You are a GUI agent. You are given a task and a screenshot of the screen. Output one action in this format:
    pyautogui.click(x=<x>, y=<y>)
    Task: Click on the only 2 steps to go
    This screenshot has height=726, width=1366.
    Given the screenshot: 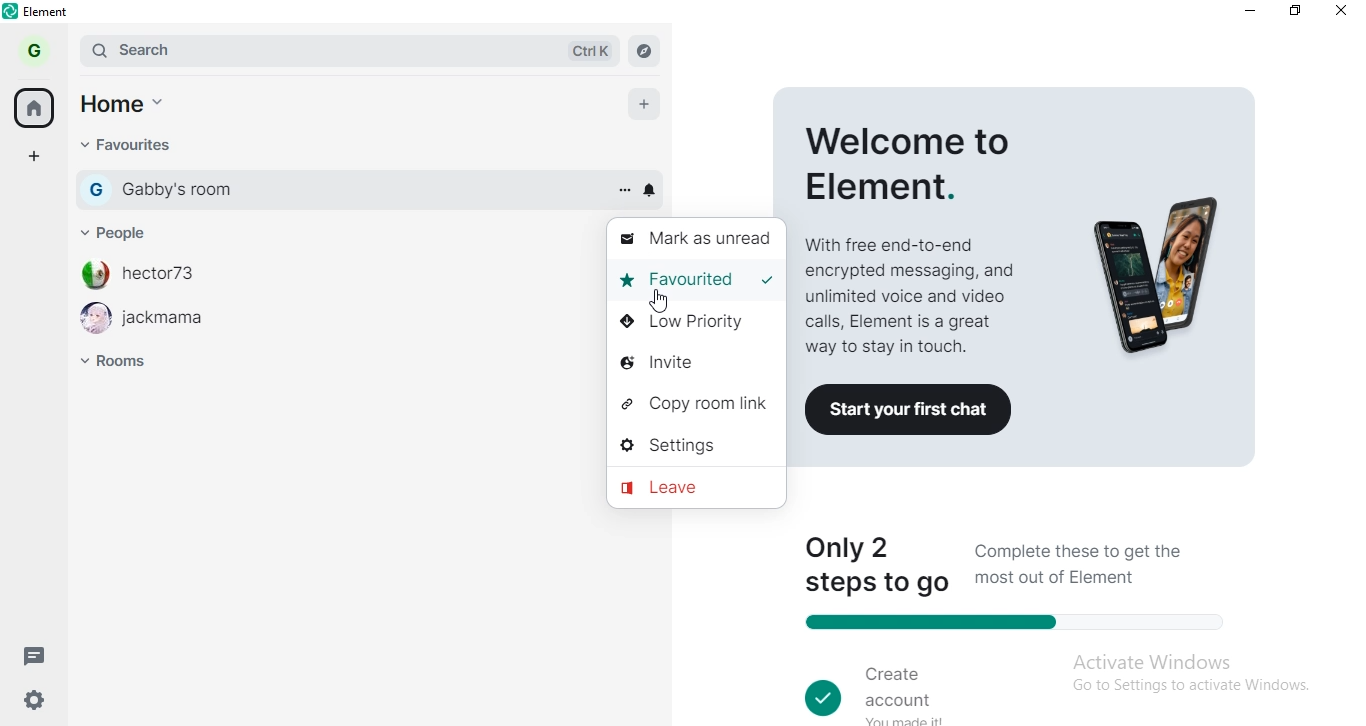 What is the action you would take?
    pyautogui.click(x=879, y=560)
    